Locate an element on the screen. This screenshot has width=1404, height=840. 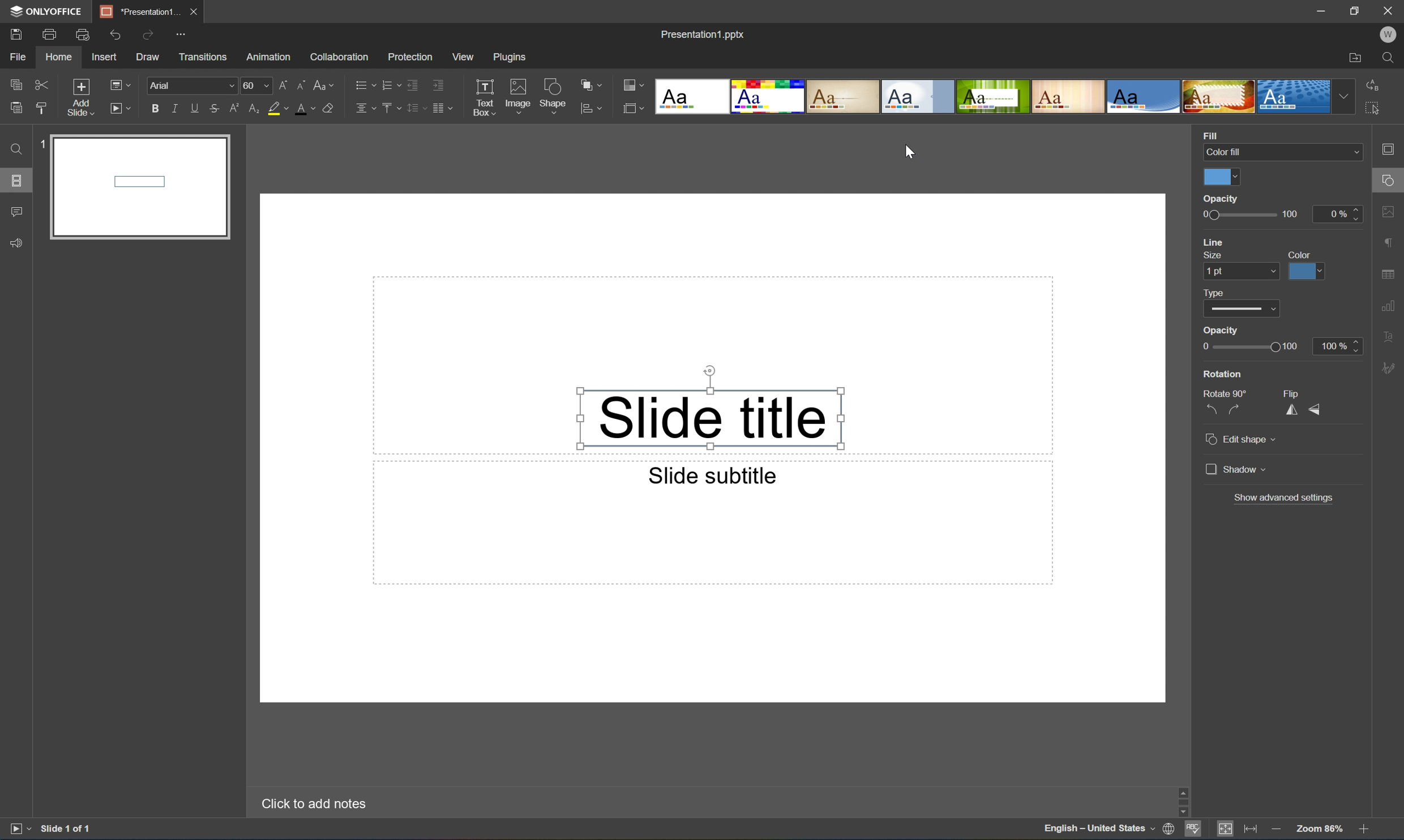
Numbering is located at coordinates (387, 84).